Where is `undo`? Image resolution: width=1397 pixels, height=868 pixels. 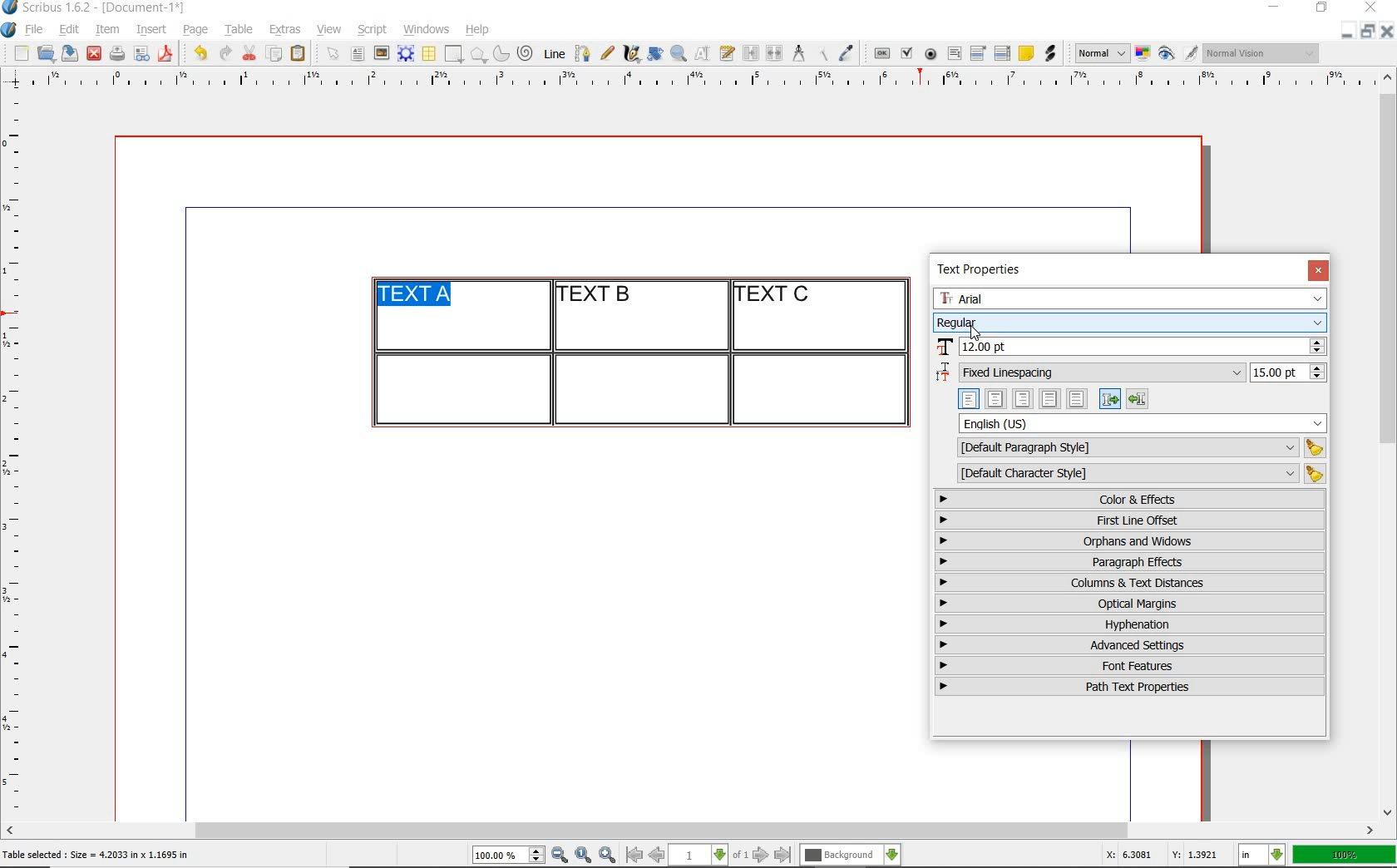
undo is located at coordinates (200, 53).